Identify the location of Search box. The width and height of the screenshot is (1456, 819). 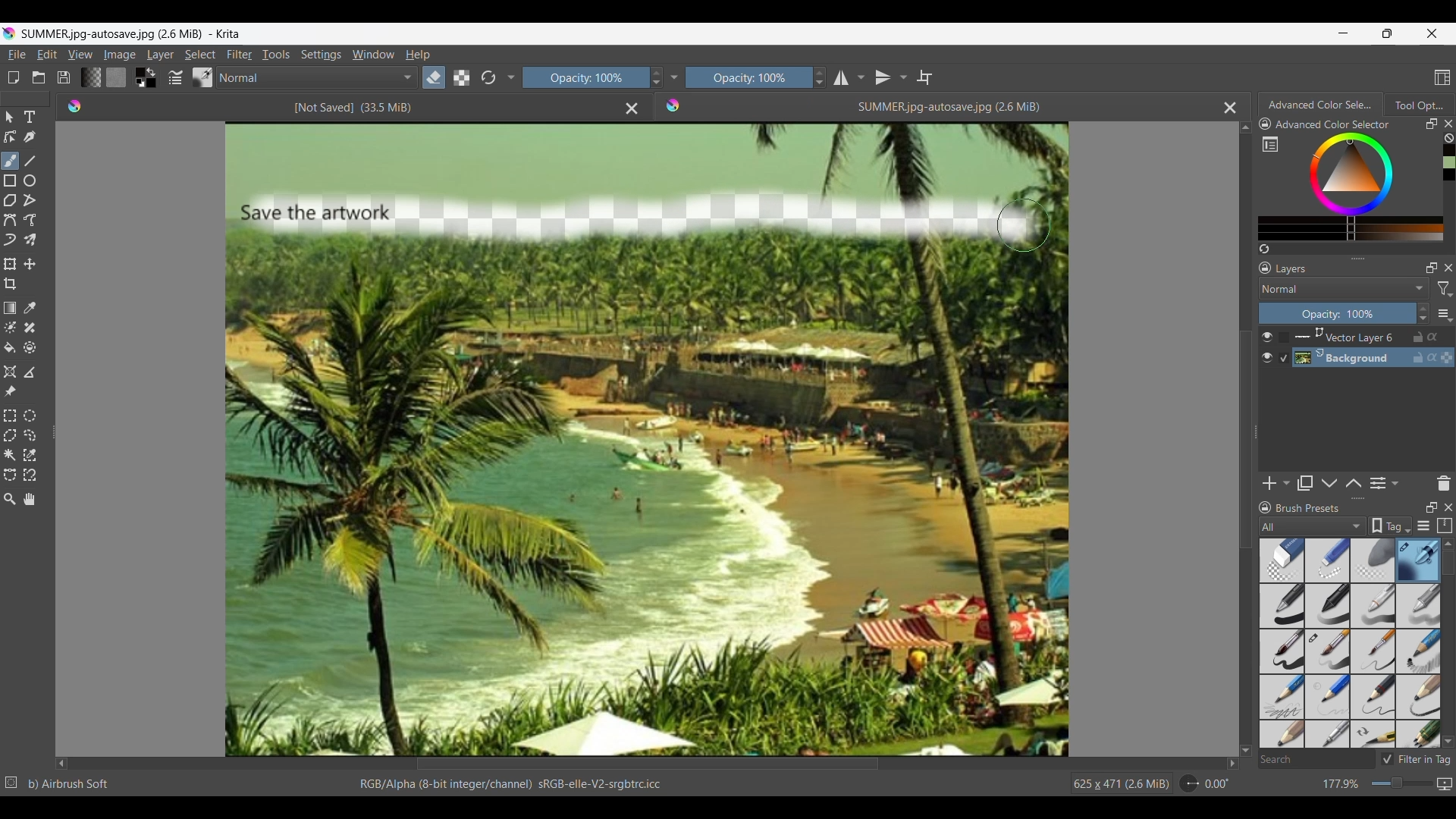
(1316, 759).